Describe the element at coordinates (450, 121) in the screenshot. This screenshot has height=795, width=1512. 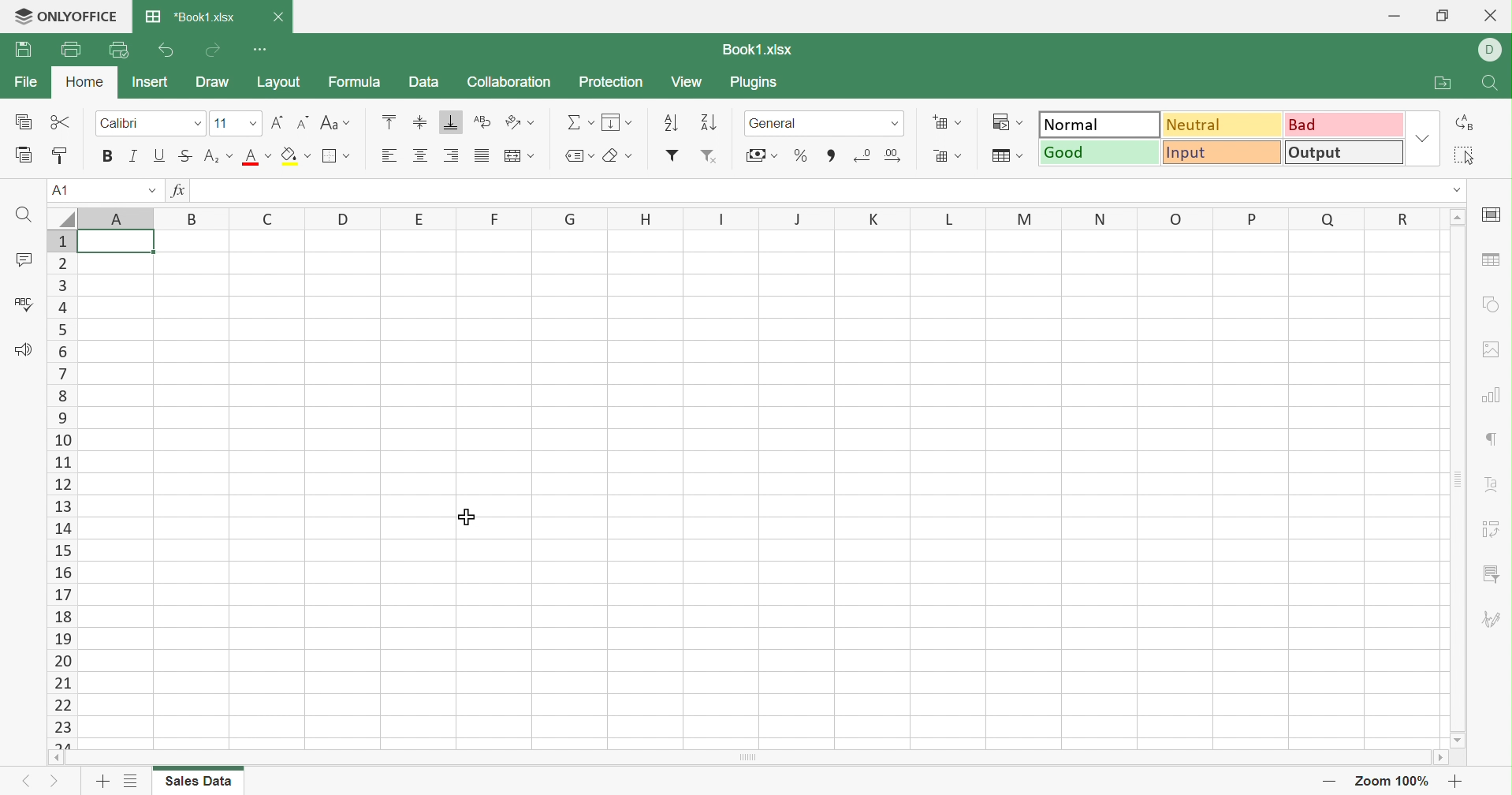
I see `Align Bottom` at that location.